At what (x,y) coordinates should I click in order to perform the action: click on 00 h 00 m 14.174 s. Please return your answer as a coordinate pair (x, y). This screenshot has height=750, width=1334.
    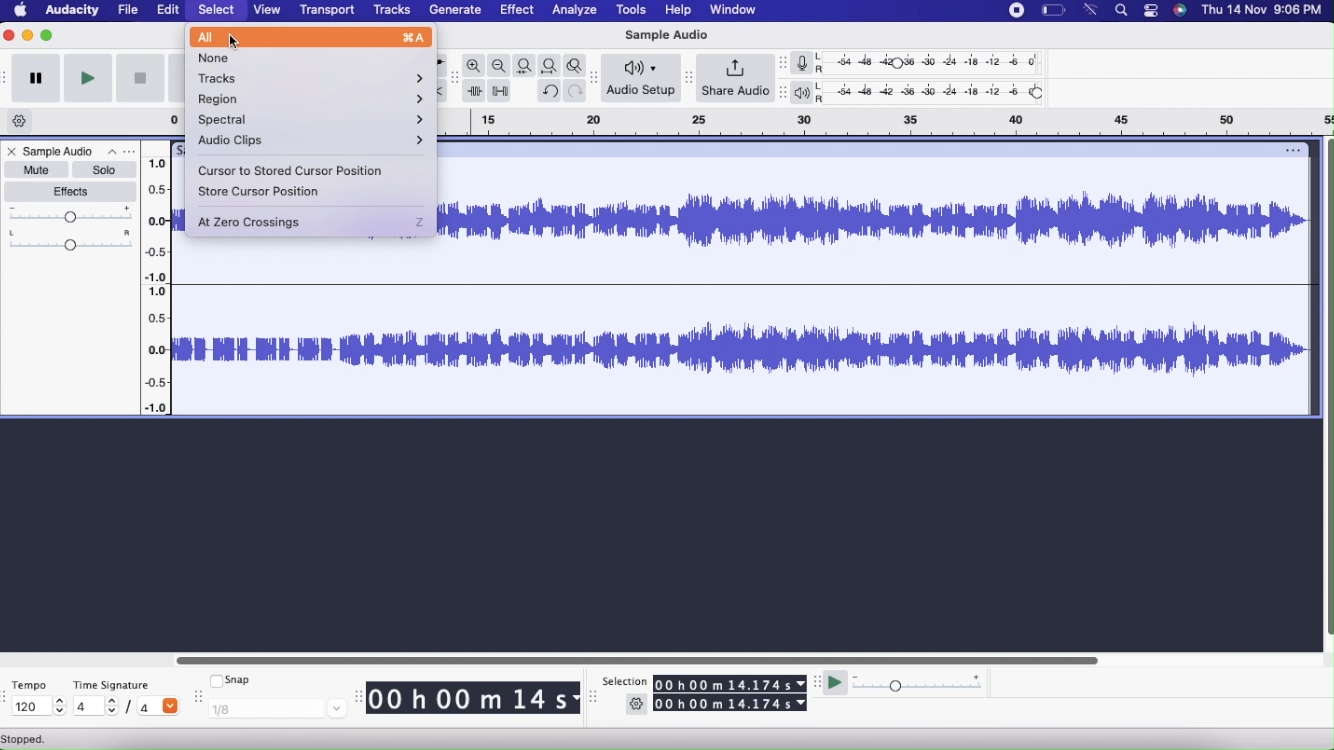
    Looking at the image, I should click on (730, 684).